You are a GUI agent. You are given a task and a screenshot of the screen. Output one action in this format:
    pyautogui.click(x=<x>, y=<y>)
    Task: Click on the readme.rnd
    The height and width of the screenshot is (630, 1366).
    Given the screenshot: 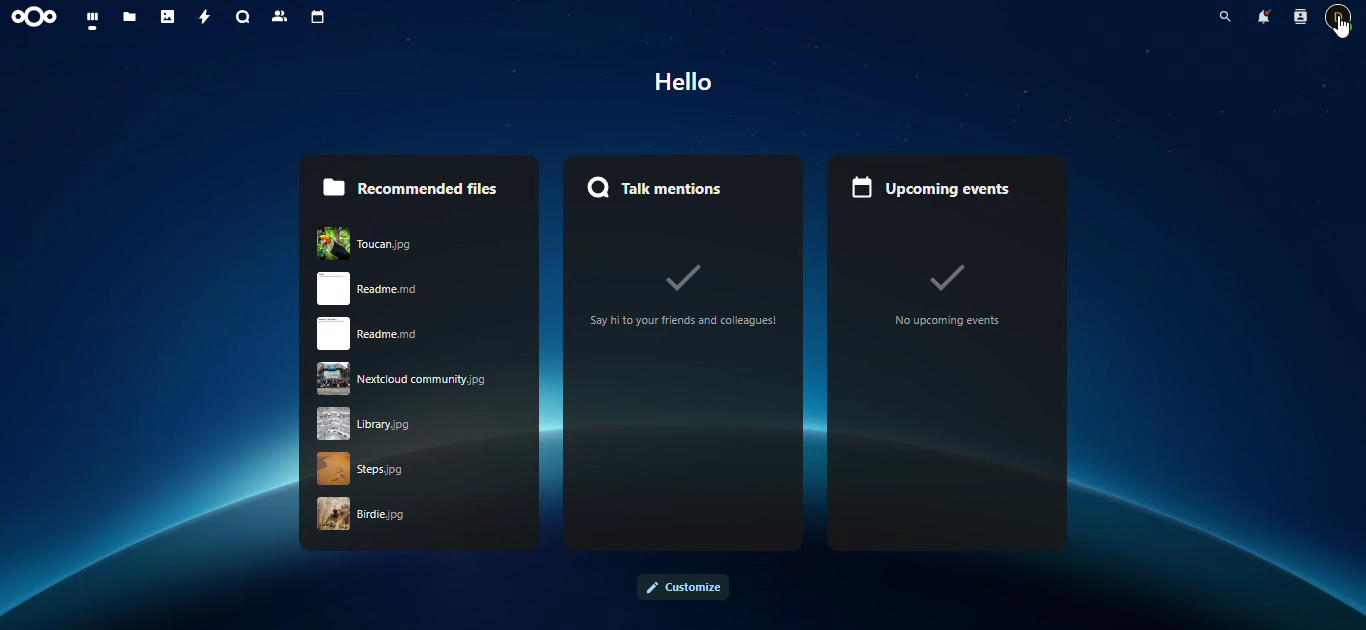 What is the action you would take?
    pyautogui.click(x=404, y=333)
    